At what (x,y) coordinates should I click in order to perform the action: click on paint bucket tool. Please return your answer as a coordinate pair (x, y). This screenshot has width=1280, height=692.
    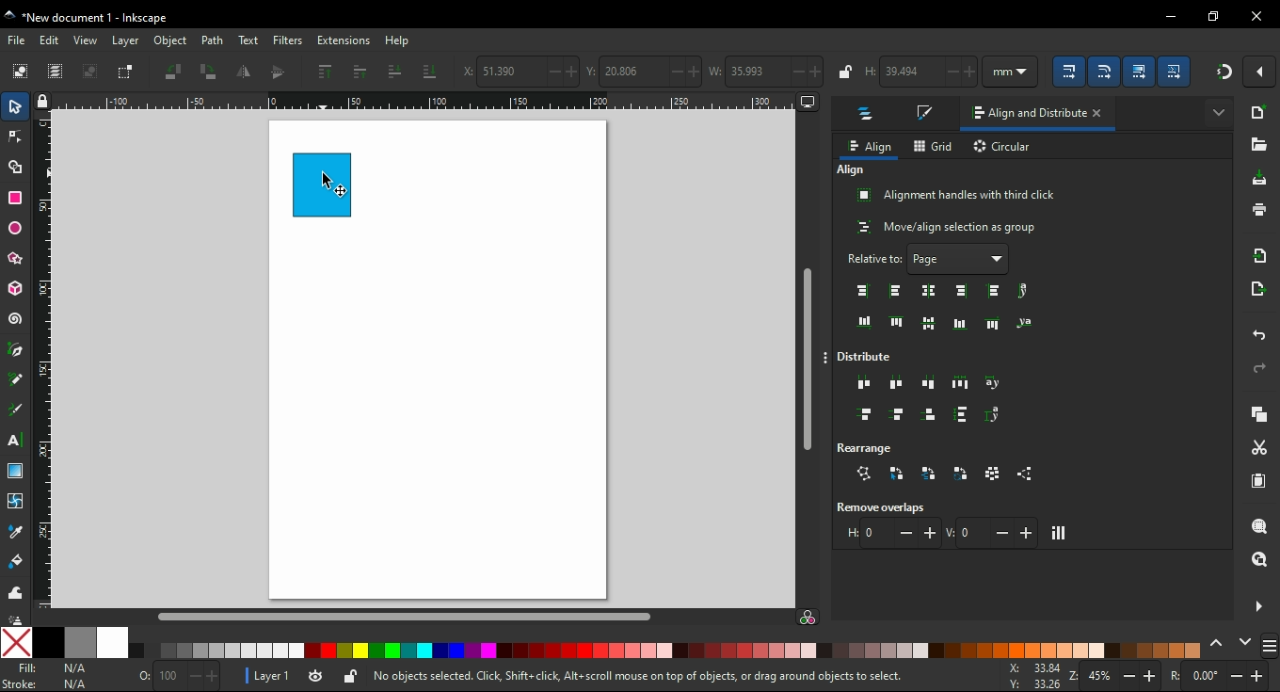
    Looking at the image, I should click on (16, 560).